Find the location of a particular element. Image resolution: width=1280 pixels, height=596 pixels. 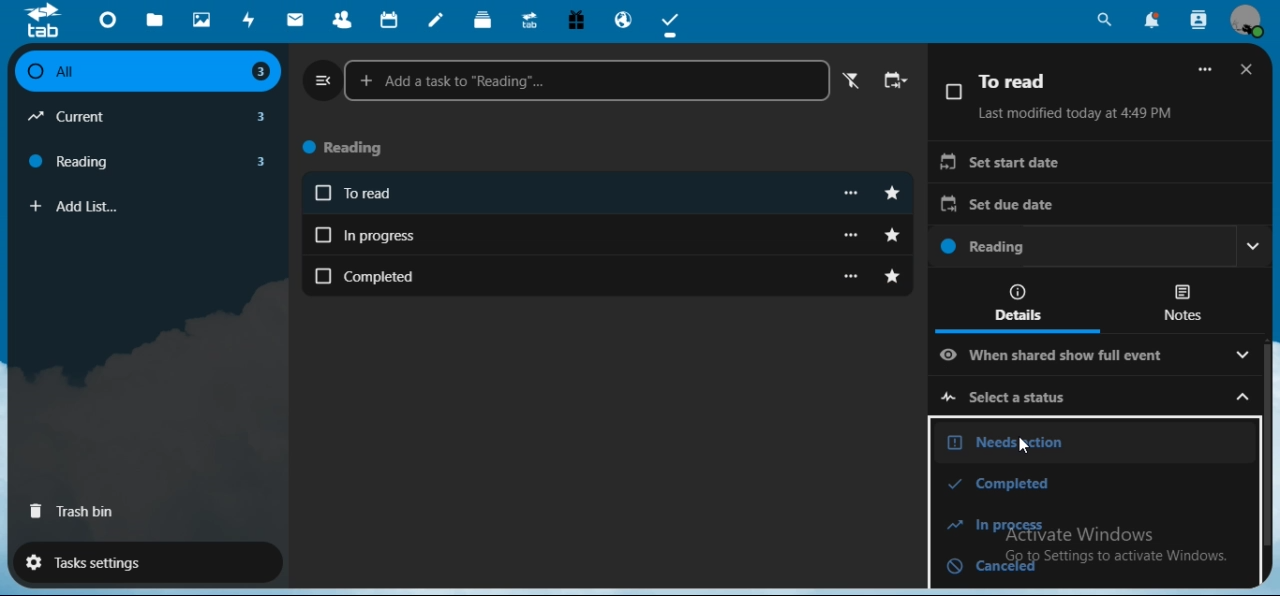

deck is located at coordinates (483, 18).